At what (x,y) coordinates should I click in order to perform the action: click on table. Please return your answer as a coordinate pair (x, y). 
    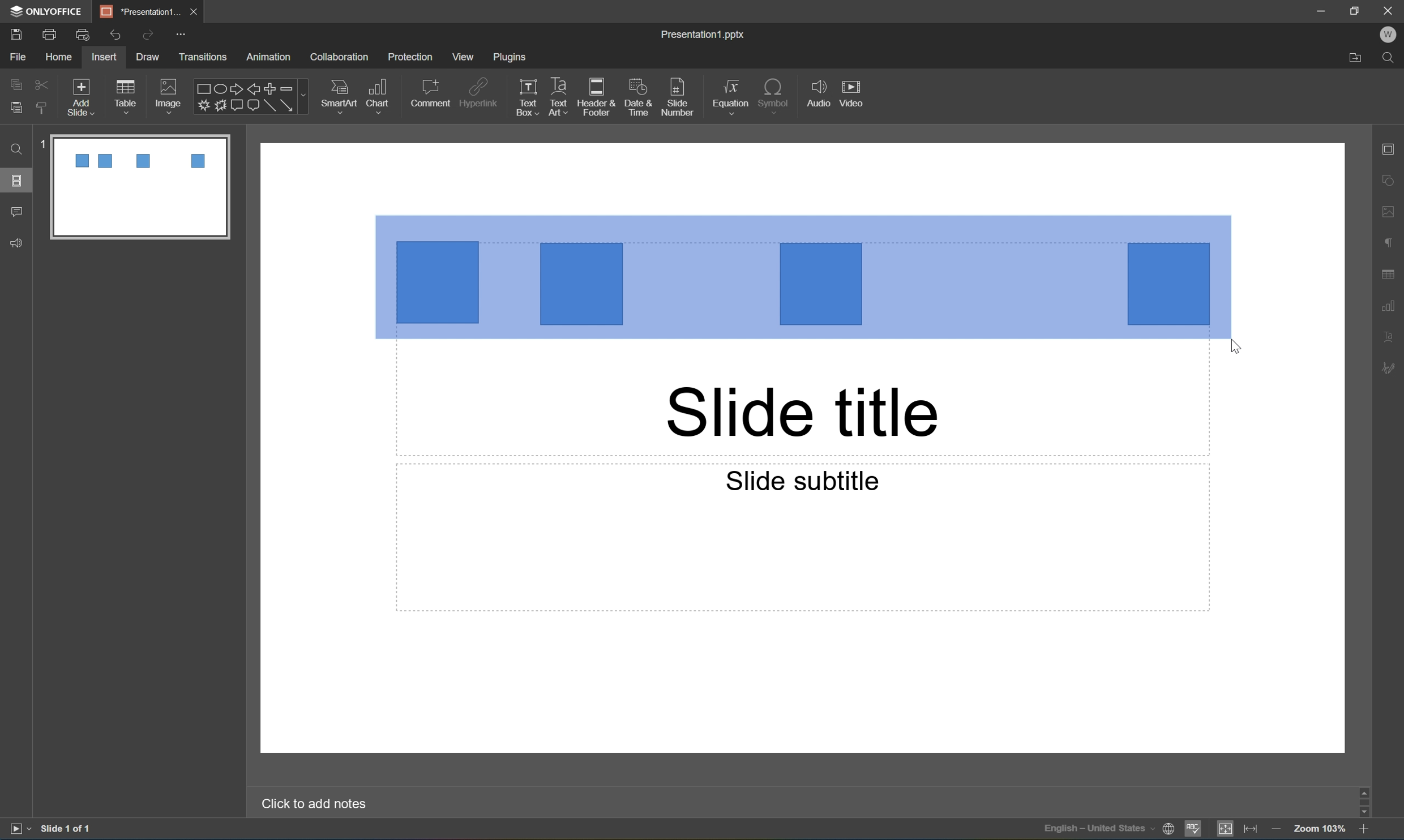
    Looking at the image, I should click on (130, 93).